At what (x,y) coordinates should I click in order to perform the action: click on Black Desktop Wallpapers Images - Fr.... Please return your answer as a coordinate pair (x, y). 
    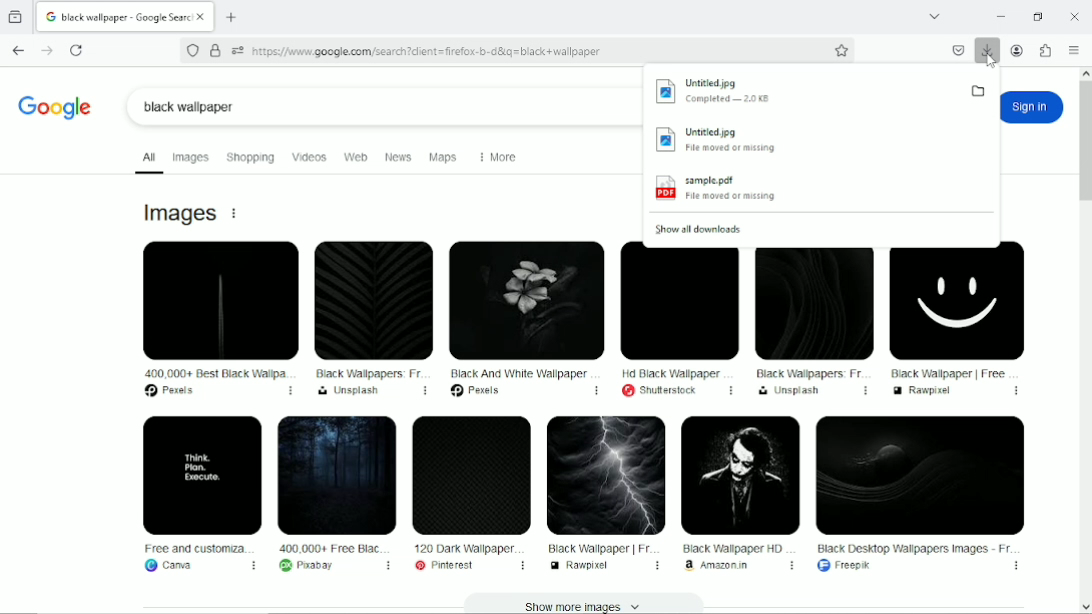
    Looking at the image, I should click on (920, 493).